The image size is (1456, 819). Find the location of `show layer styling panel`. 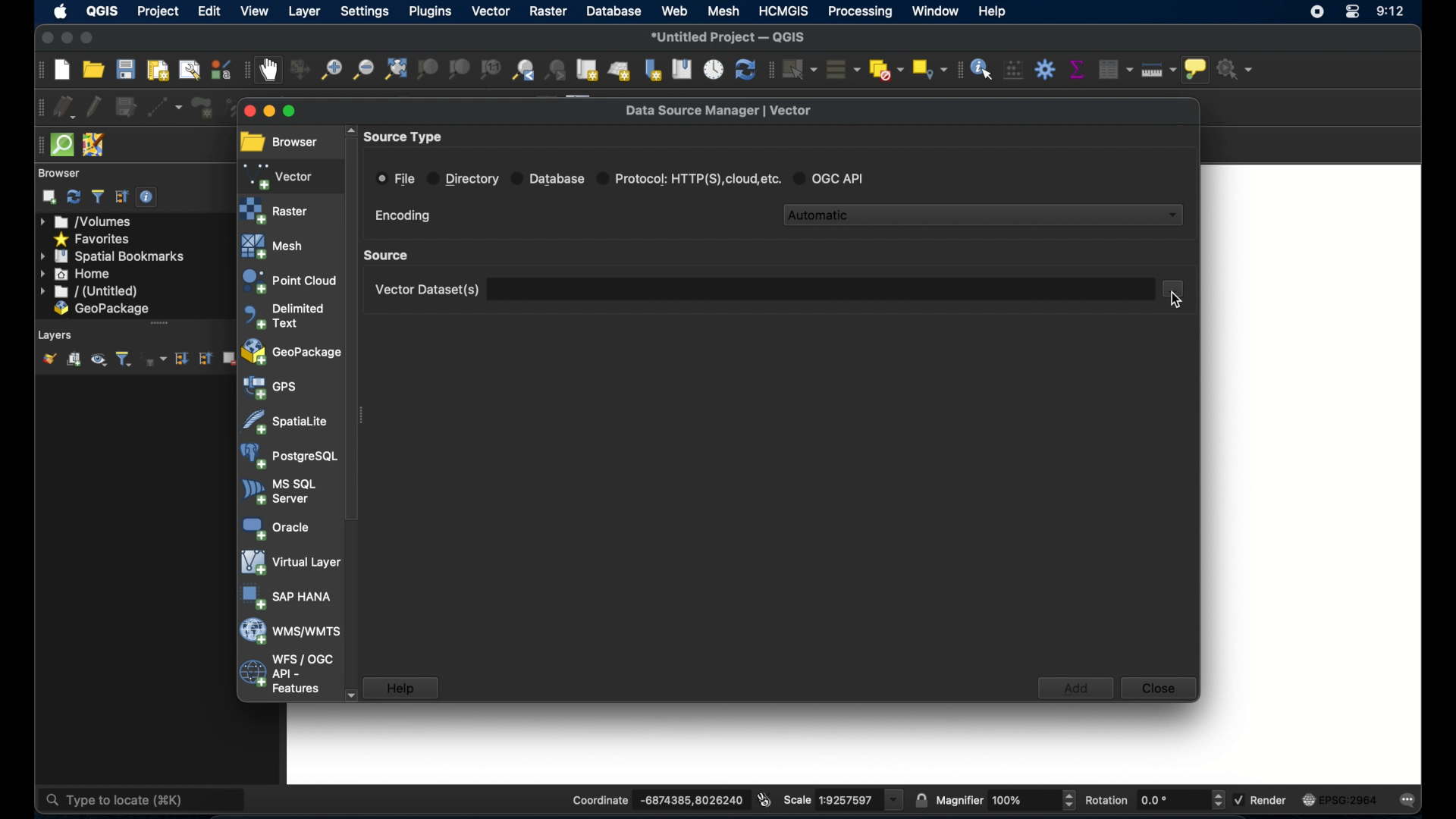

show layer styling panel is located at coordinates (49, 359).